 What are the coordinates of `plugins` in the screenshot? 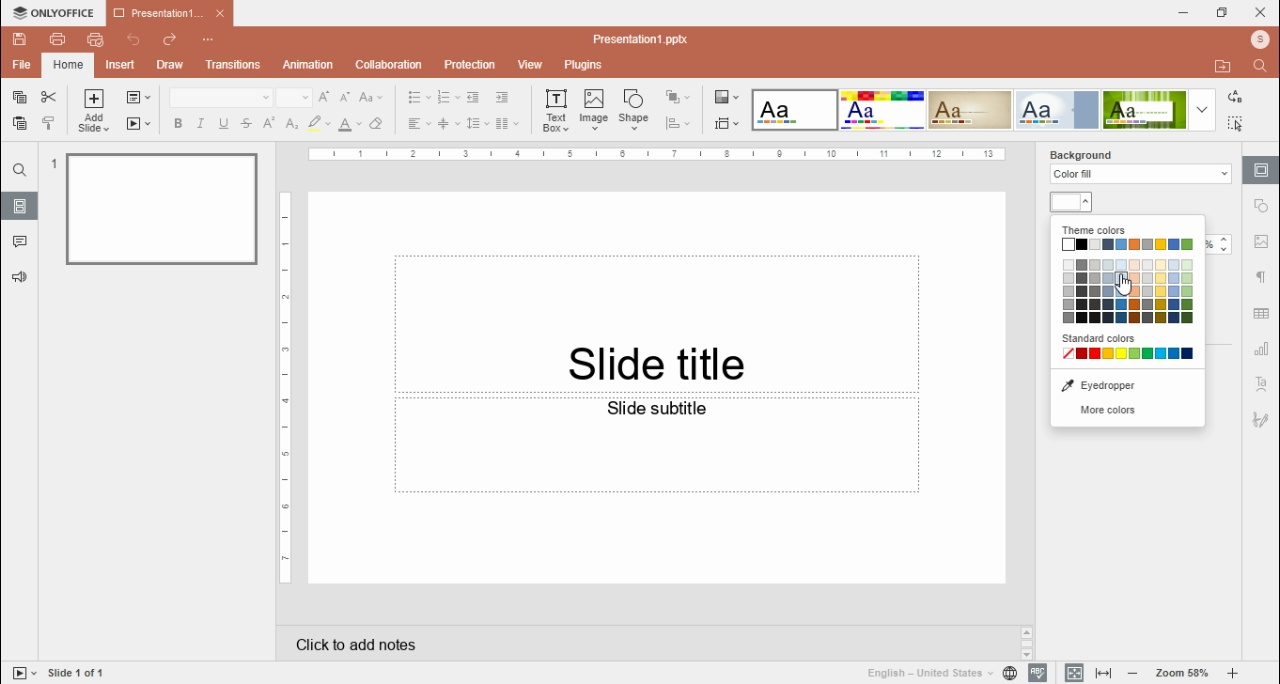 It's located at (585, 66).